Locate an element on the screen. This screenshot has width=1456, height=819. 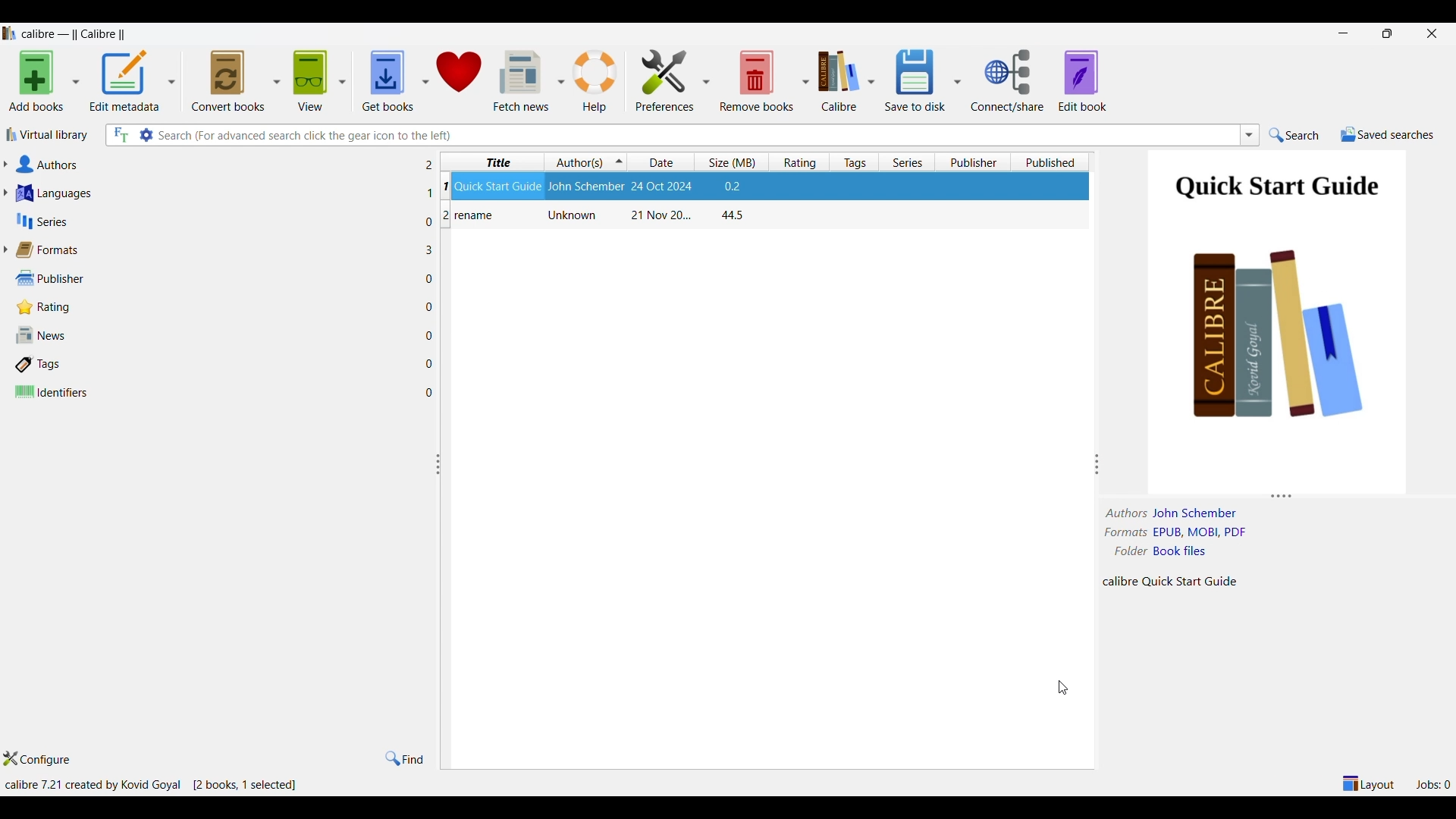
Remove book options is located at coordinates (805, 82).